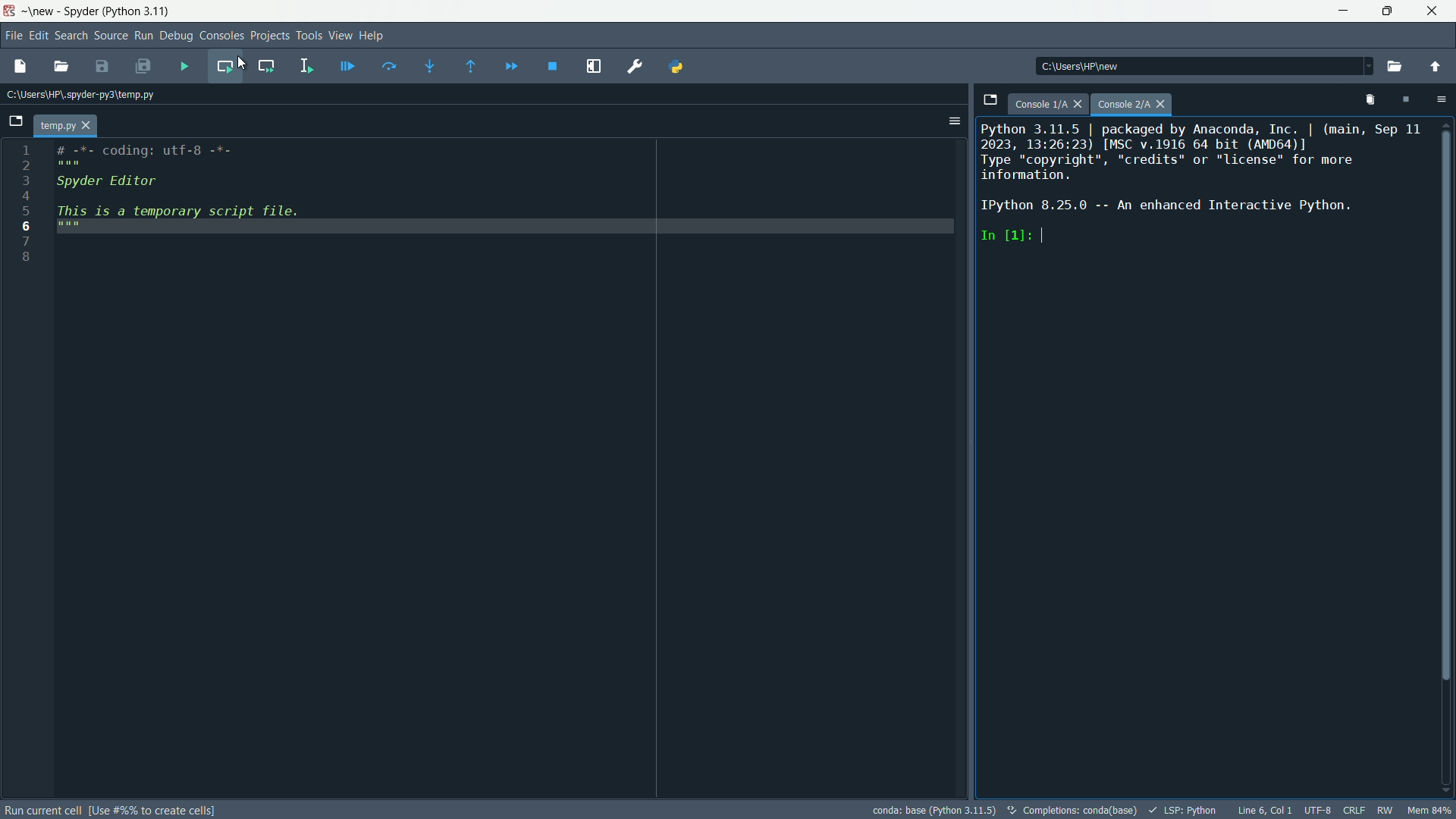 The height and width of the screenshot is (819, 1456). I want to click on conda: base (Python 3.11.5), so click(934, 811).